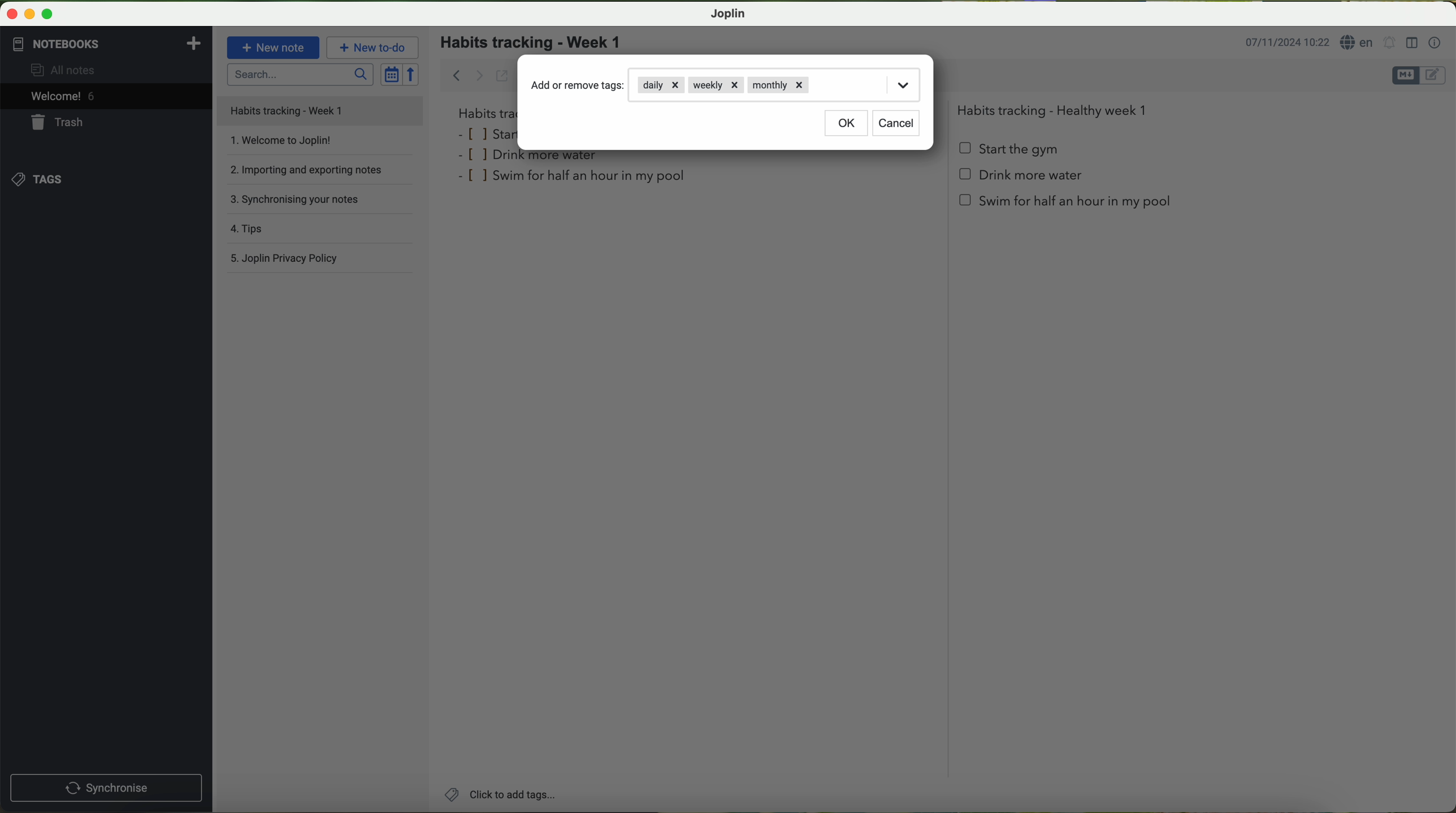  I want to click on drink more water, so click(533, 158).